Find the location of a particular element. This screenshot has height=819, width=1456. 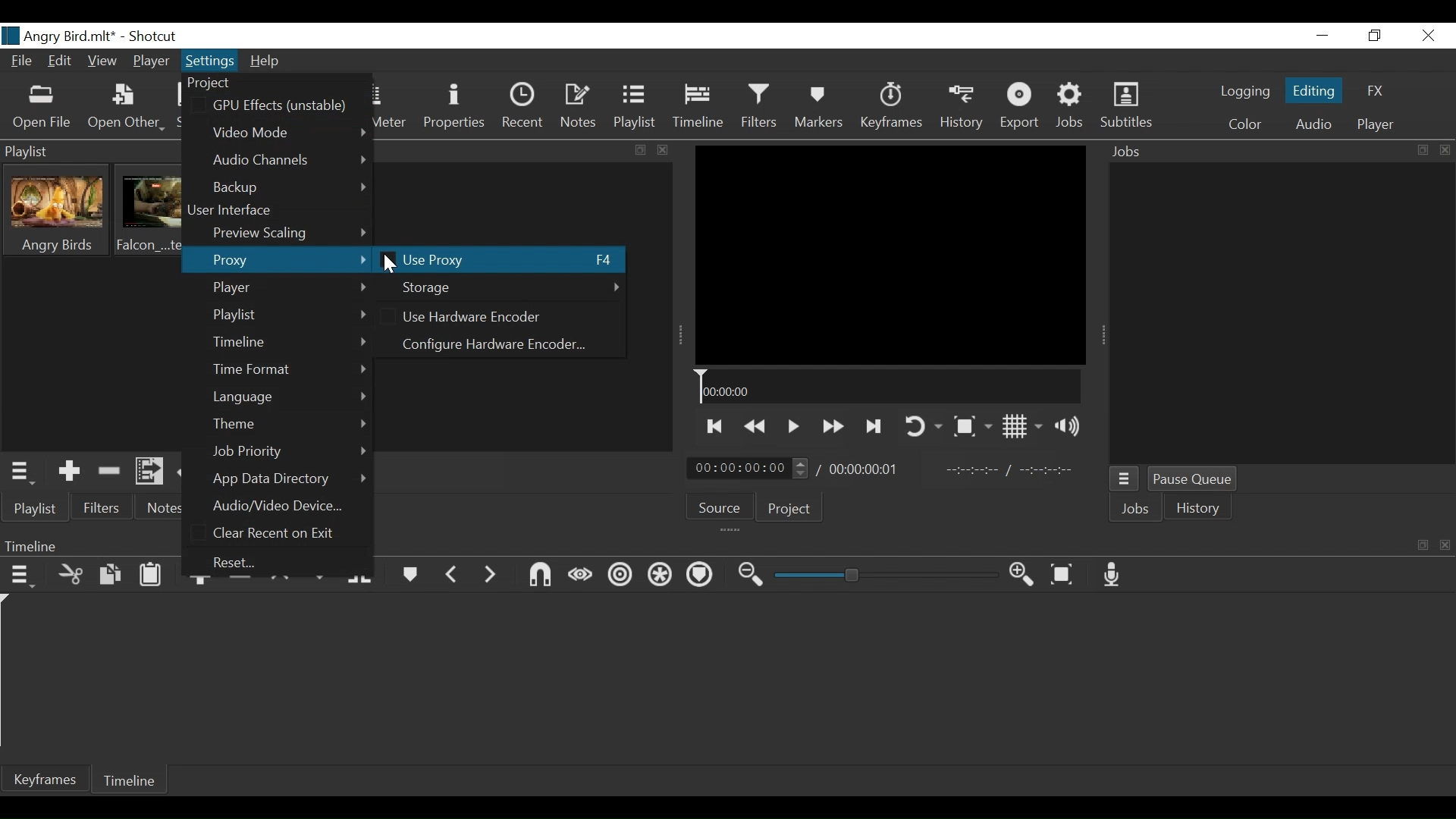

Append is located at coordinates (199, 582).